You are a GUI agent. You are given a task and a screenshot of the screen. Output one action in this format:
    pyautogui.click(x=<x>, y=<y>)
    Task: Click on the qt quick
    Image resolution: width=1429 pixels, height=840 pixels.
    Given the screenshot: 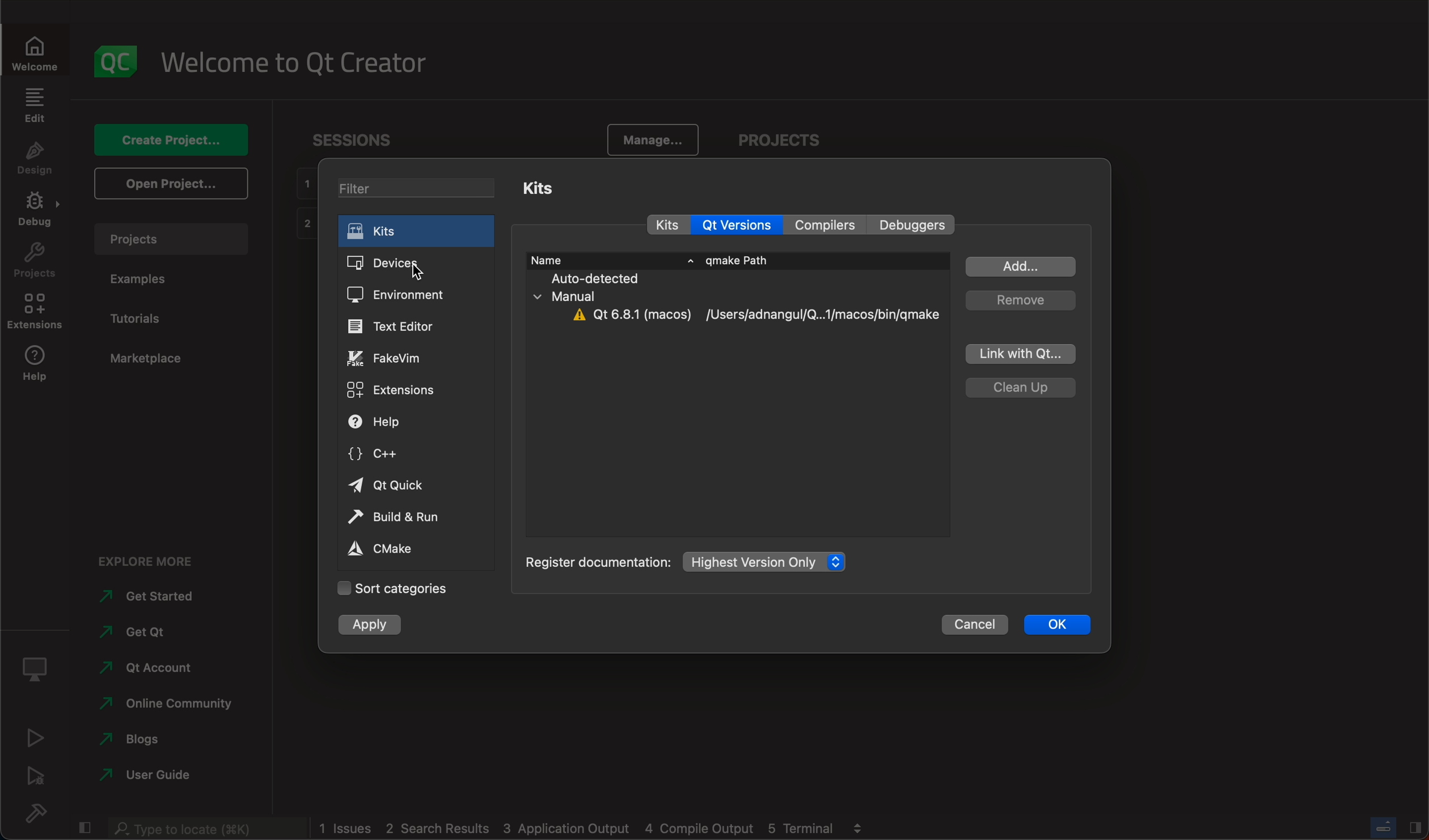 What is the action you would take?
    pyautogui.click(x=400, y=487)
    